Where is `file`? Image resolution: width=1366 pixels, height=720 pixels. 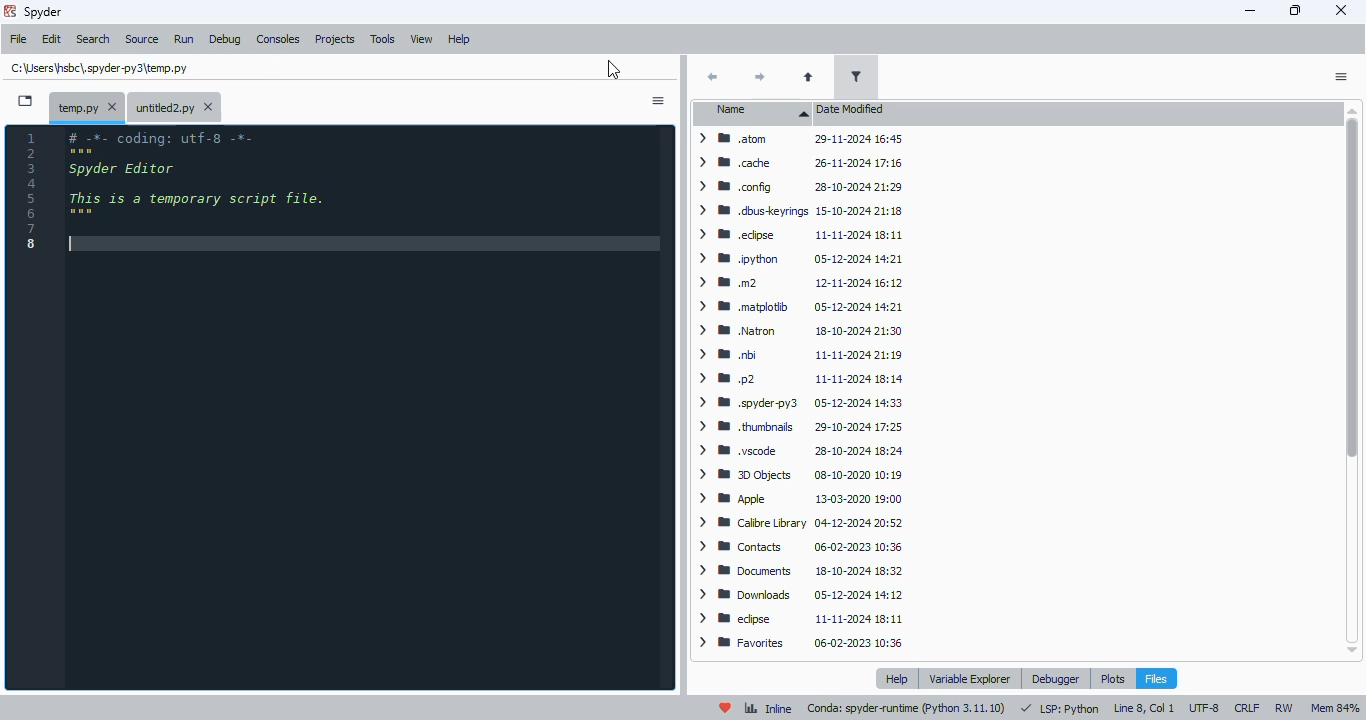
file is located at coordinates (17, 39).